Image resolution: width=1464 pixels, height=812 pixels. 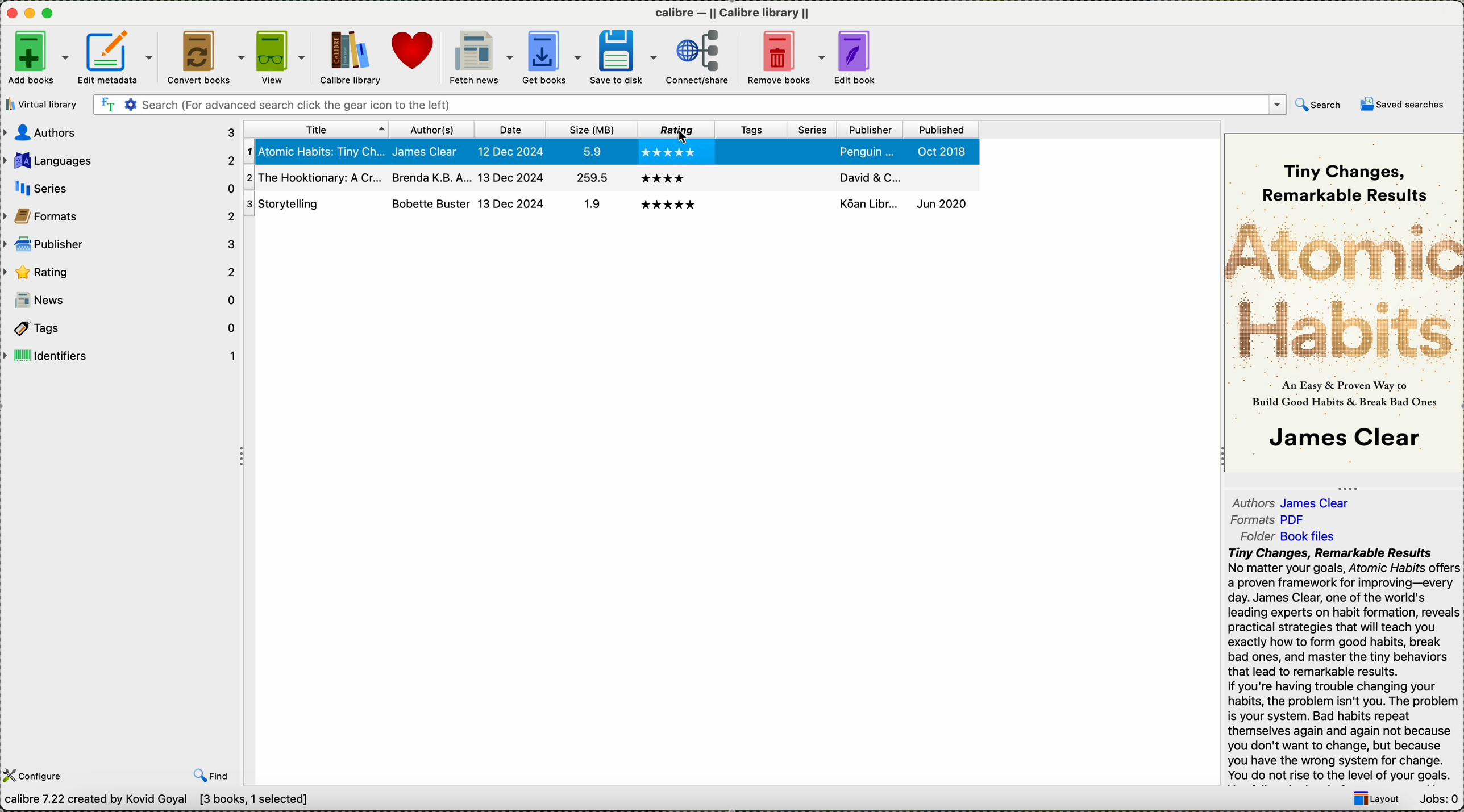 I want to click on series, so click(x=813, y=175).